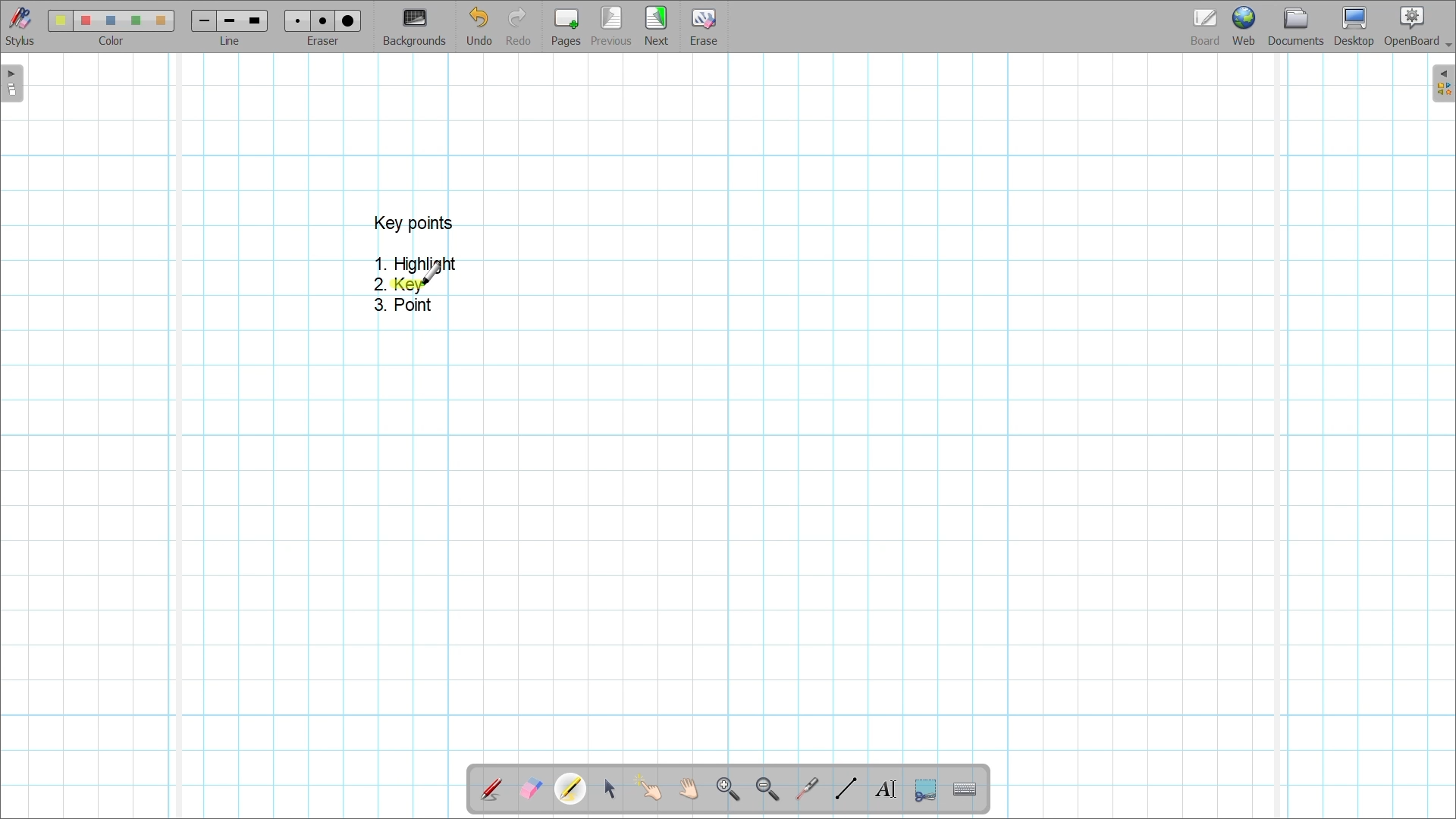 This screenshot has height=819, width=1456. I want to click on Undo, so click(480, 26).